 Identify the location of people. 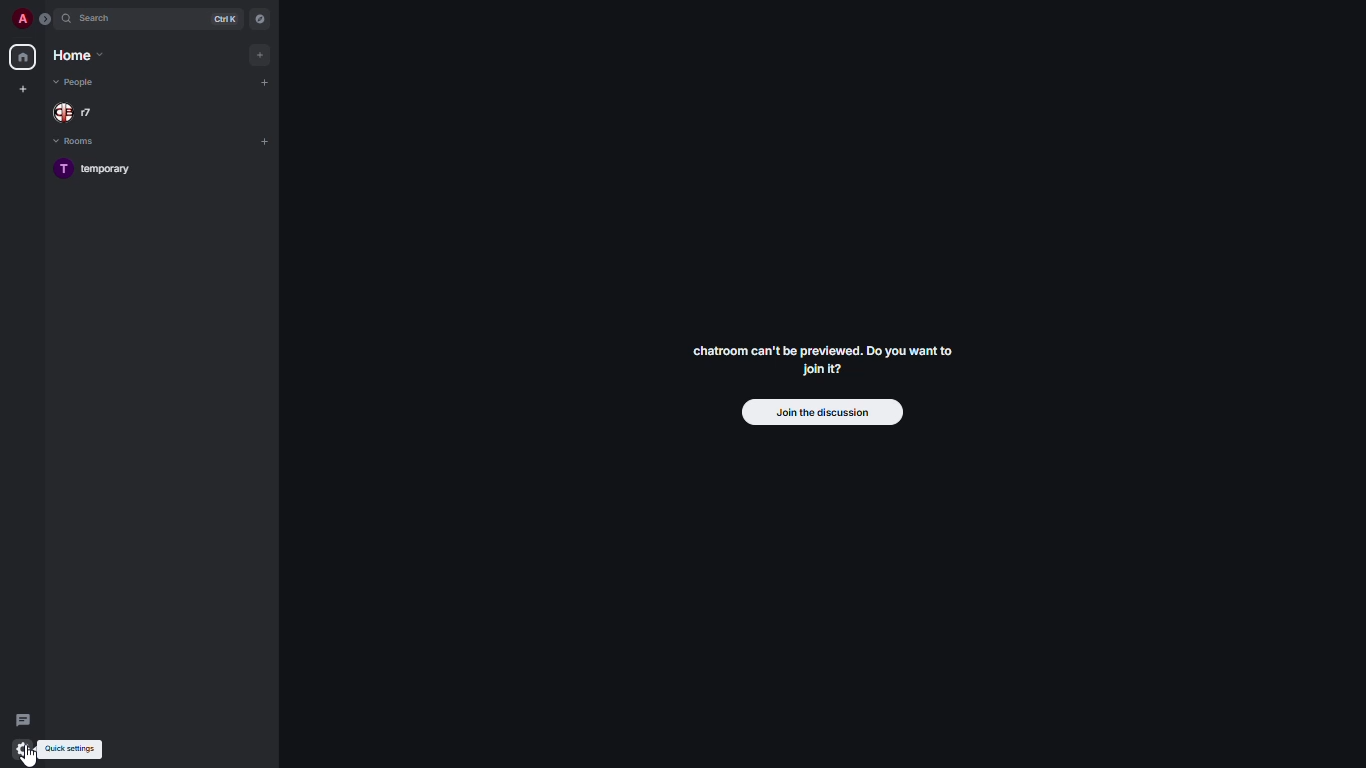
(77, 82).